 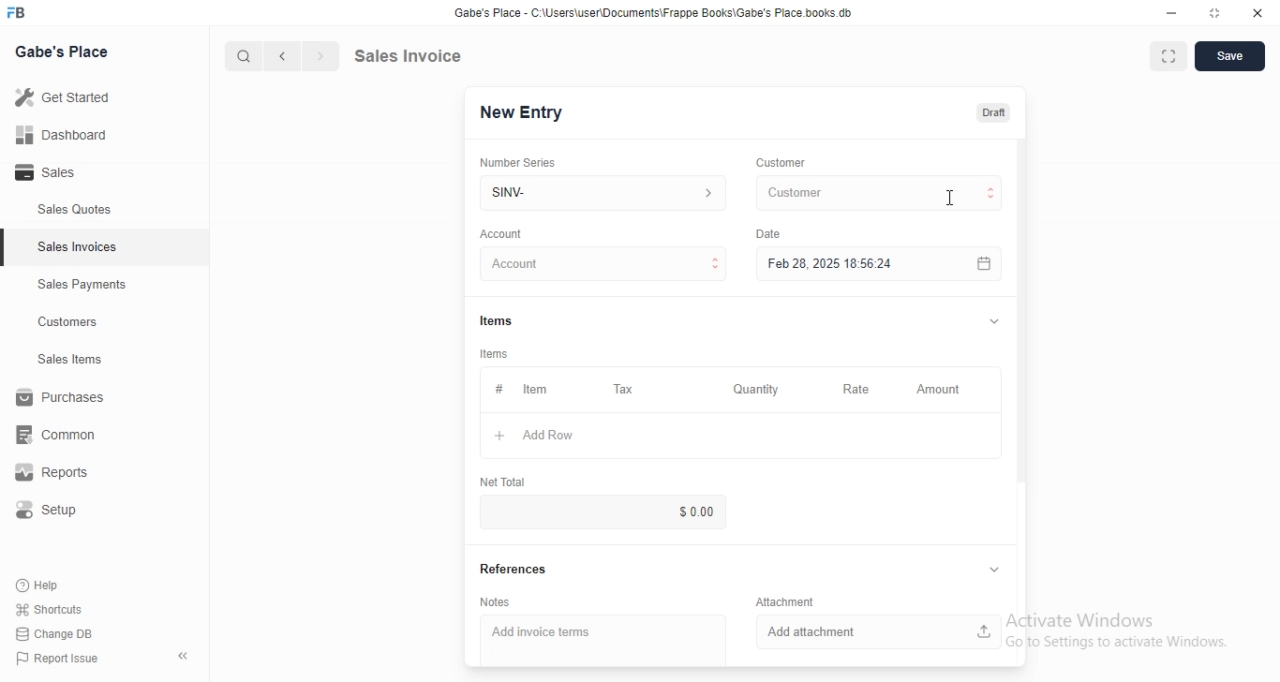 What do you see at coordinates (504, 480) in the screenshot?
I see `‘Net Total` at bounding box center [504, 480].